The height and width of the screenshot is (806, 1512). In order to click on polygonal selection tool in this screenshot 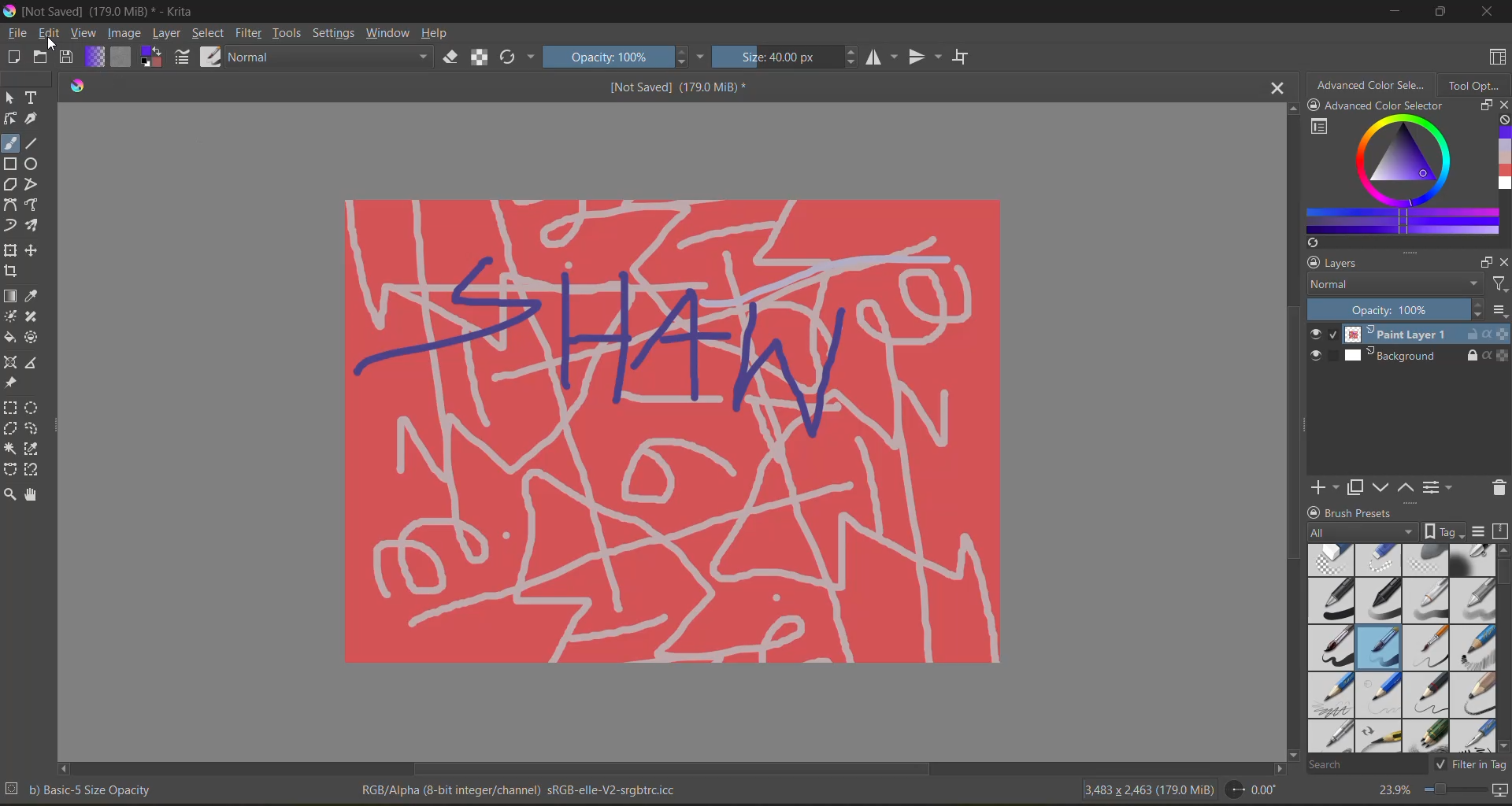, I will do `click(11, 428)`.